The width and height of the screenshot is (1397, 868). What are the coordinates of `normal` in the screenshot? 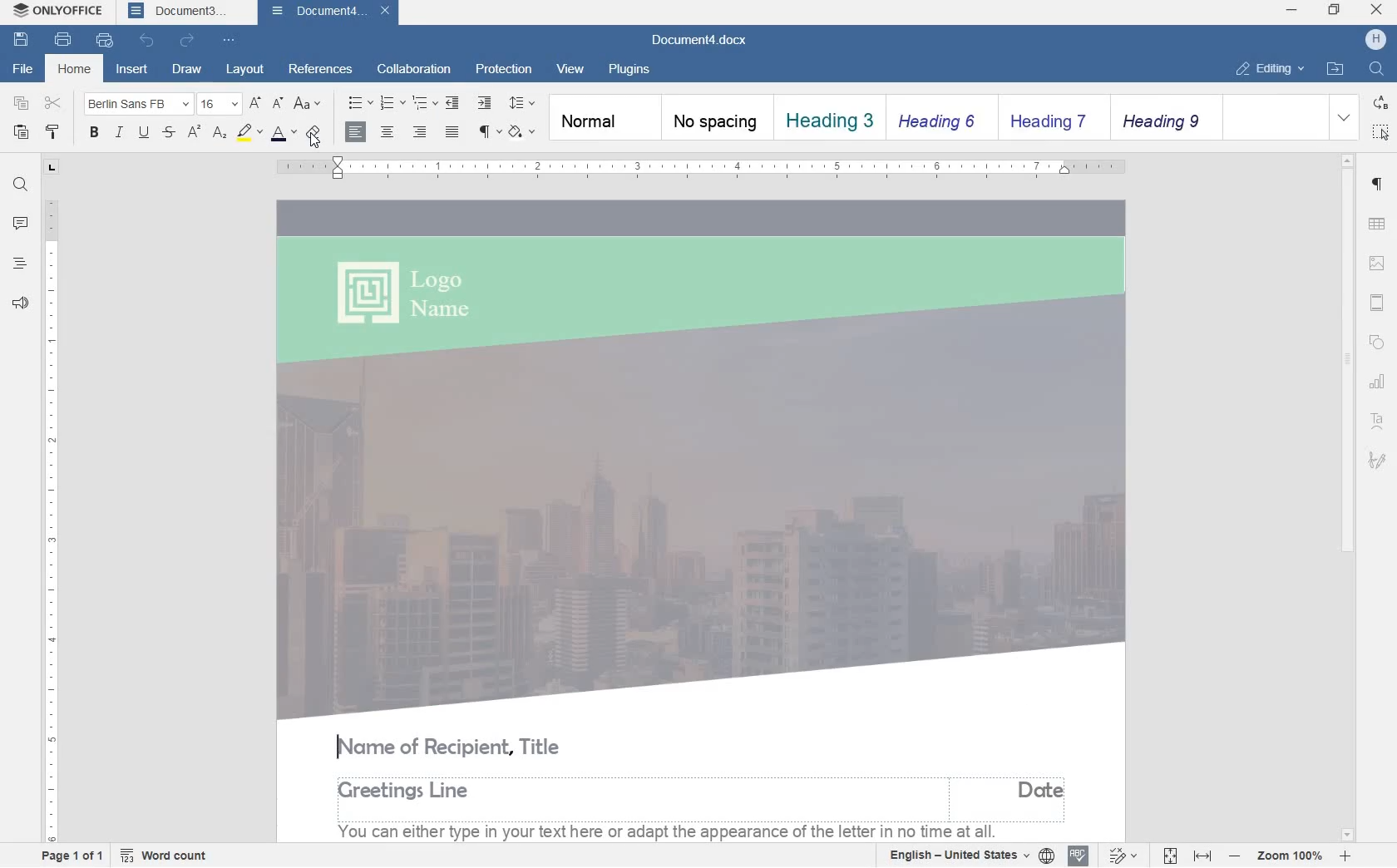 It's located at (602, 116).